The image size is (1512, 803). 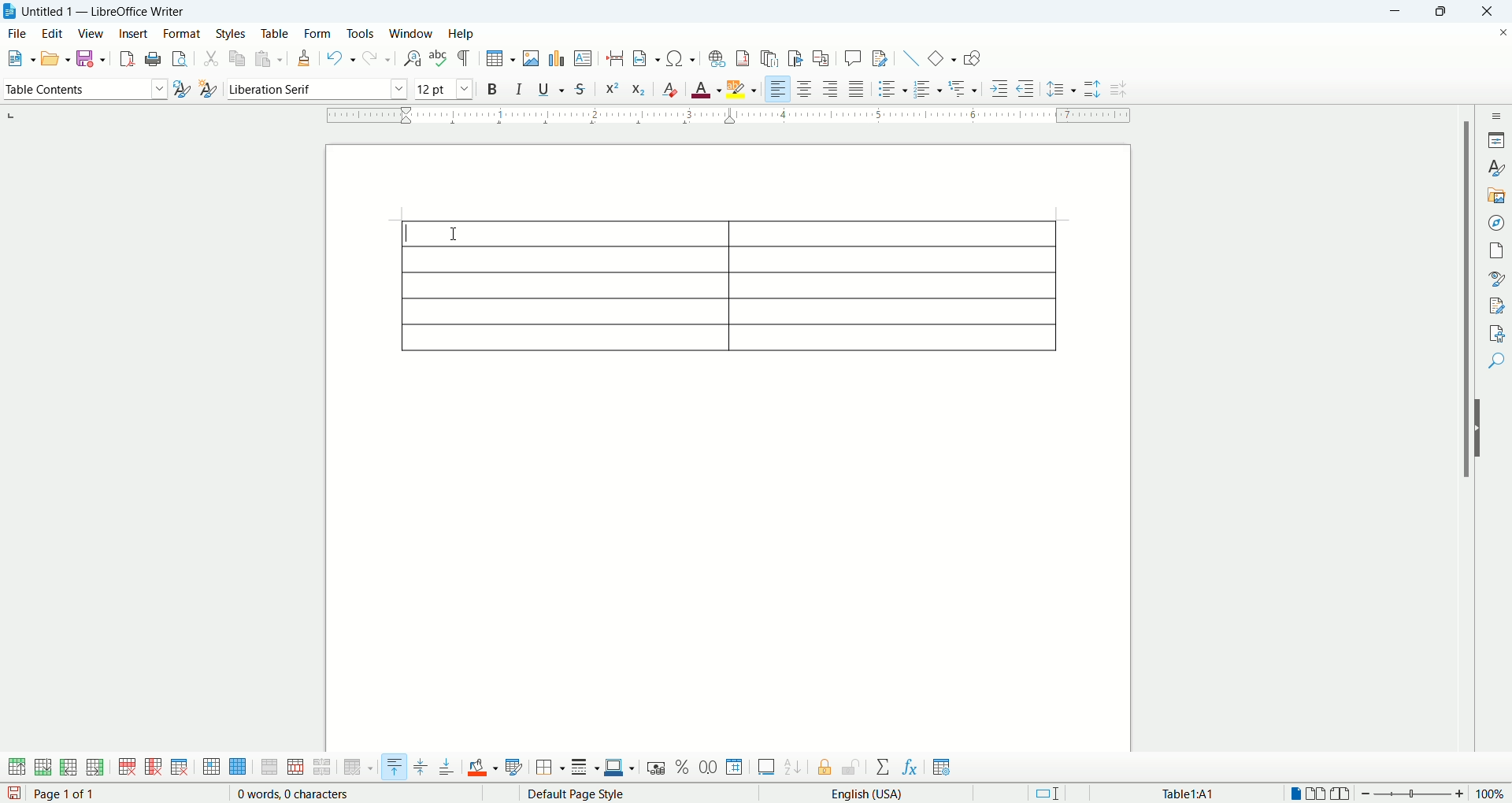 I want to click on print preview, so click(x=182, y=56).